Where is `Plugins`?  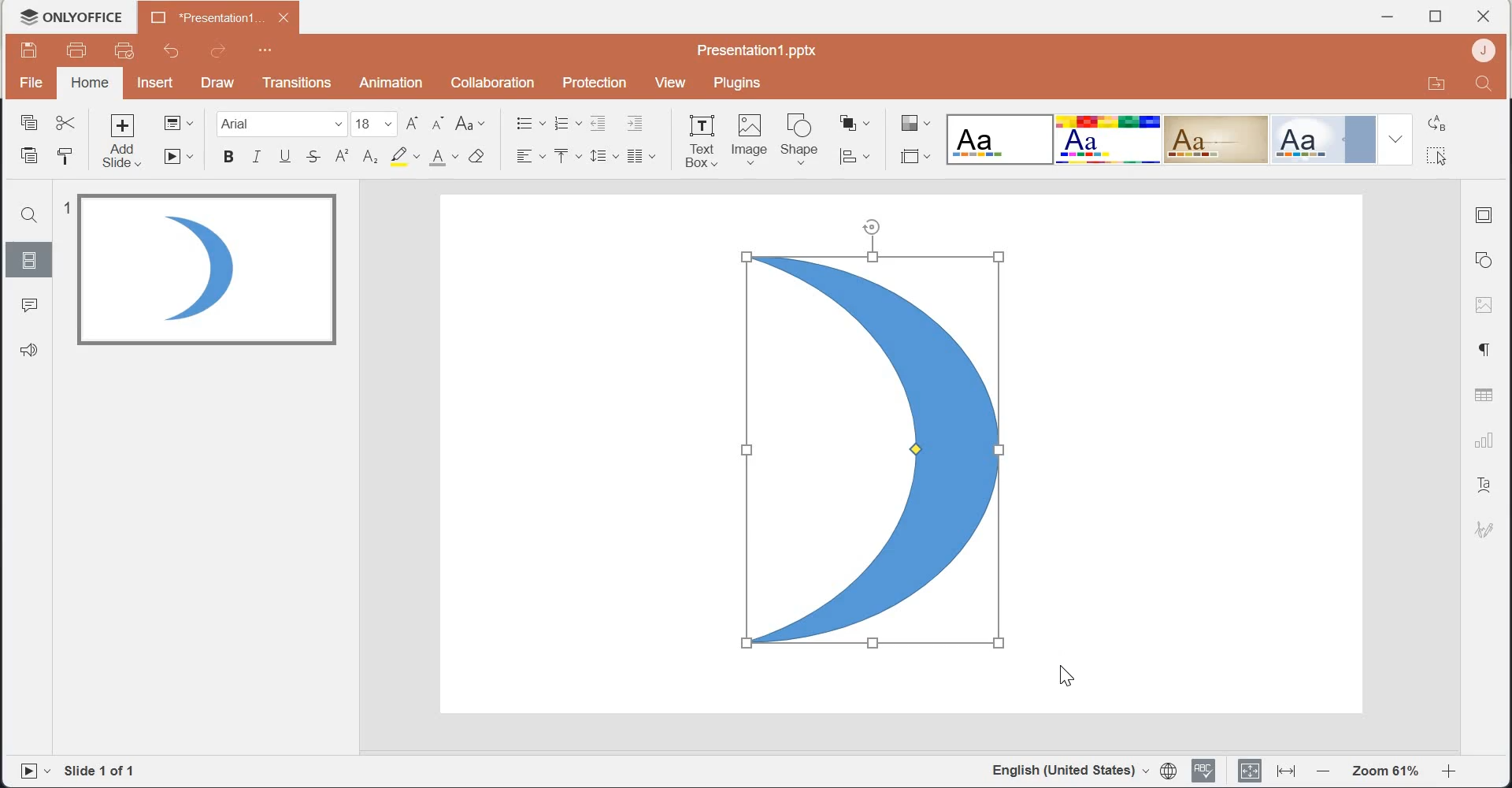
Plugins is located at coordinates (735, 84).